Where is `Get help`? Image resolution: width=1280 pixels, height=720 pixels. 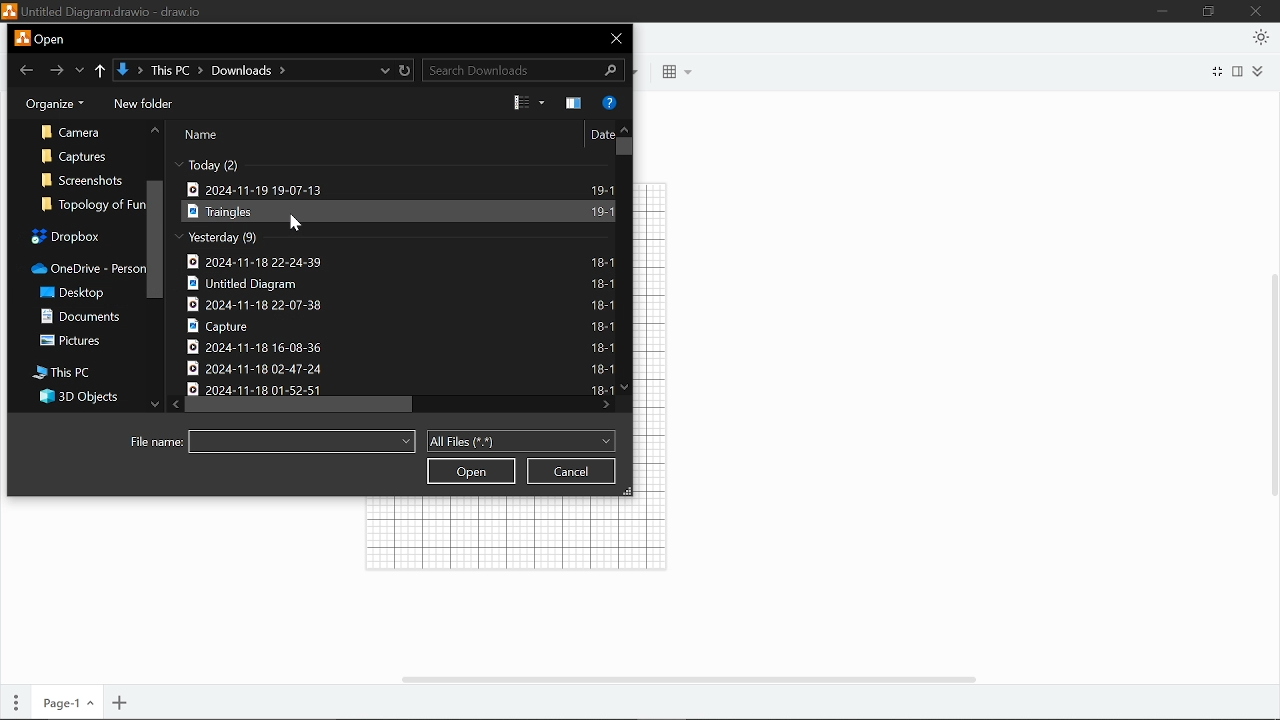 Get help is located at coordinates (609, 102).